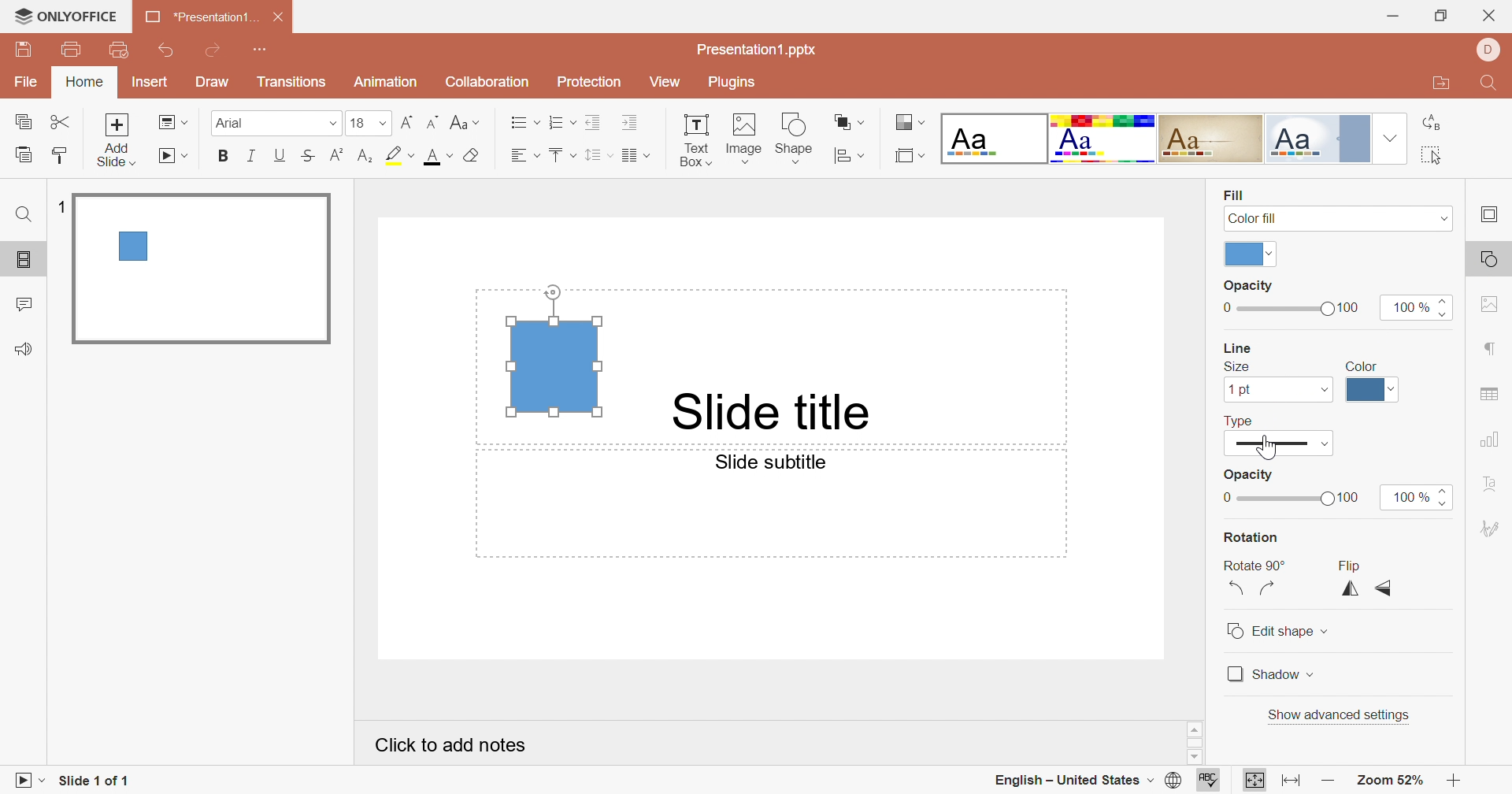 This screenshot has width=1512, height=794. Describe the element at coordinates (1491, 82) in the screenshot. I see `Find` at that location.